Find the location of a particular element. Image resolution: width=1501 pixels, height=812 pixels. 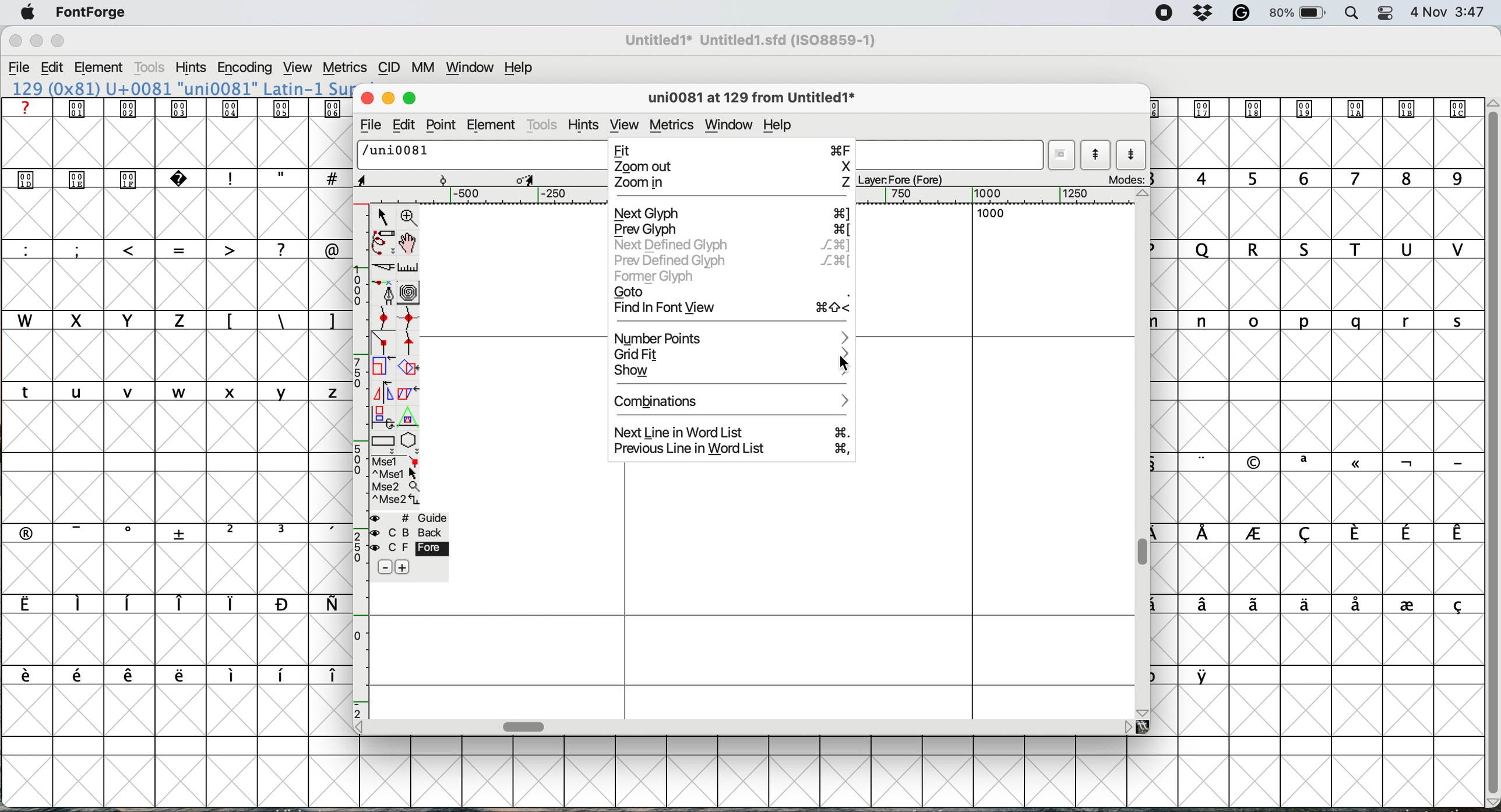

Tools is located at coordinates (151, 67).